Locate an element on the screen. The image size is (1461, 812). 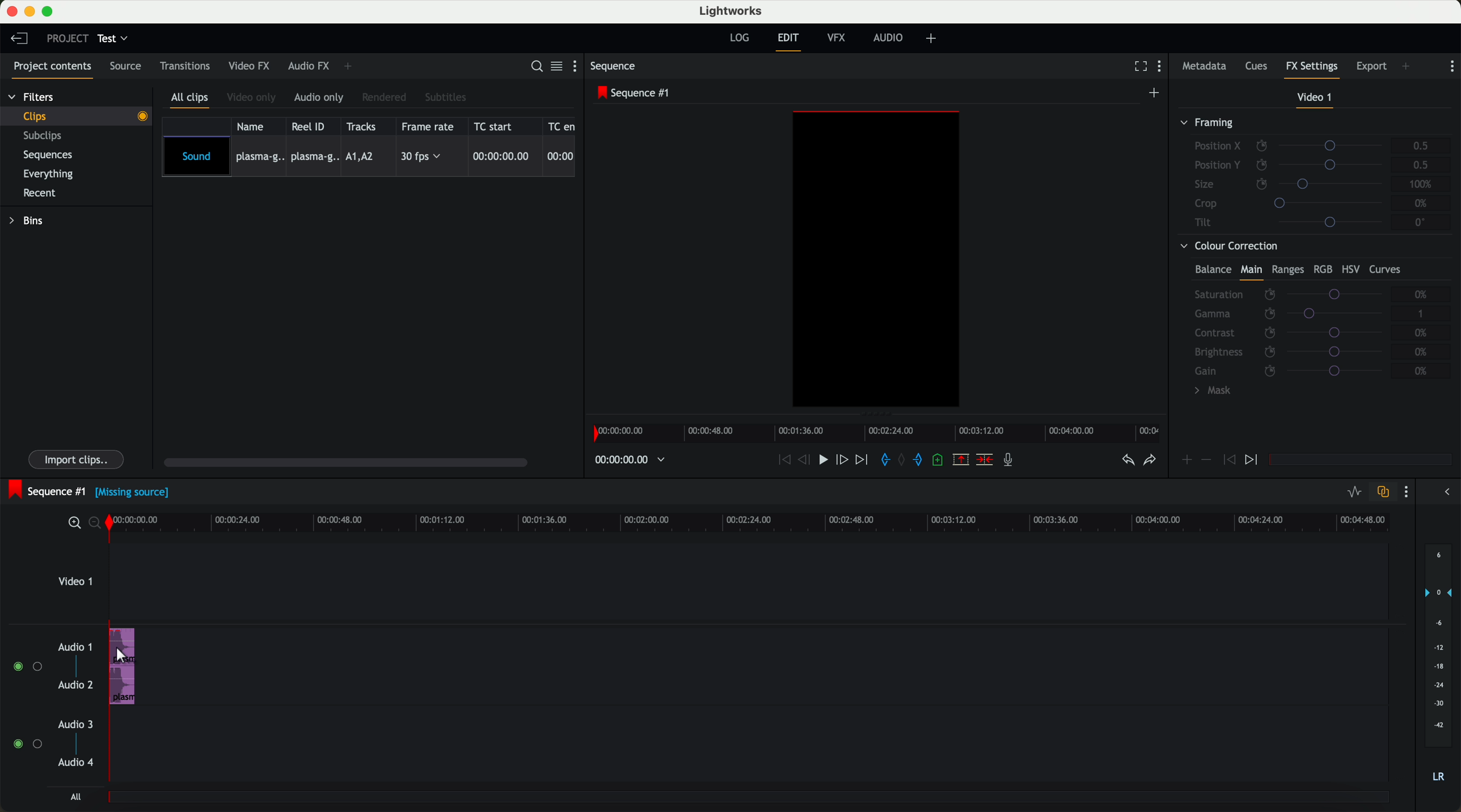
FX settings is located at coordinates (1312, 68).